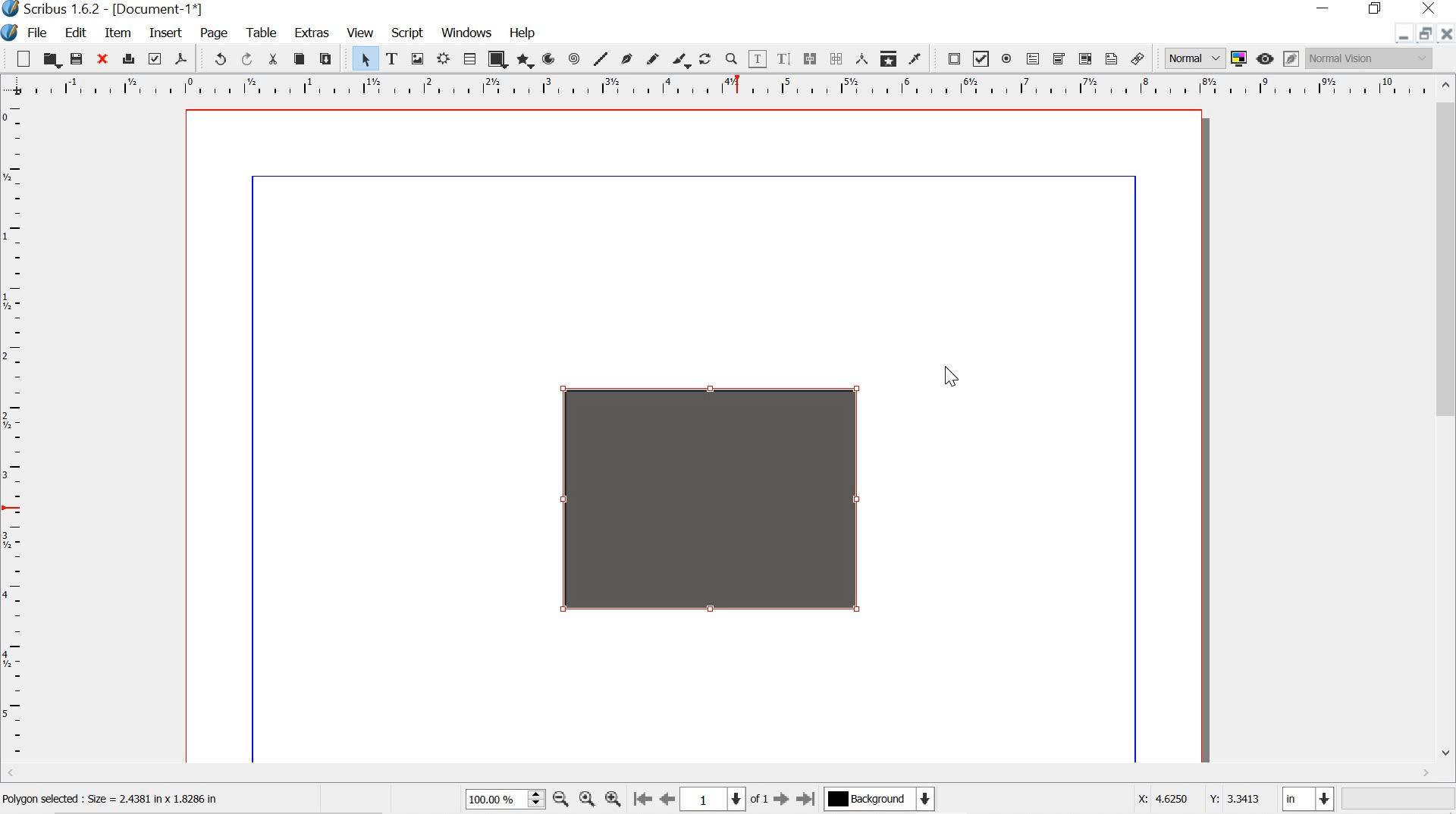 The image size is (1456, 814). Describe the element at coordinates (666, 800) in the screenshot. I see `go to previous page` at that location.